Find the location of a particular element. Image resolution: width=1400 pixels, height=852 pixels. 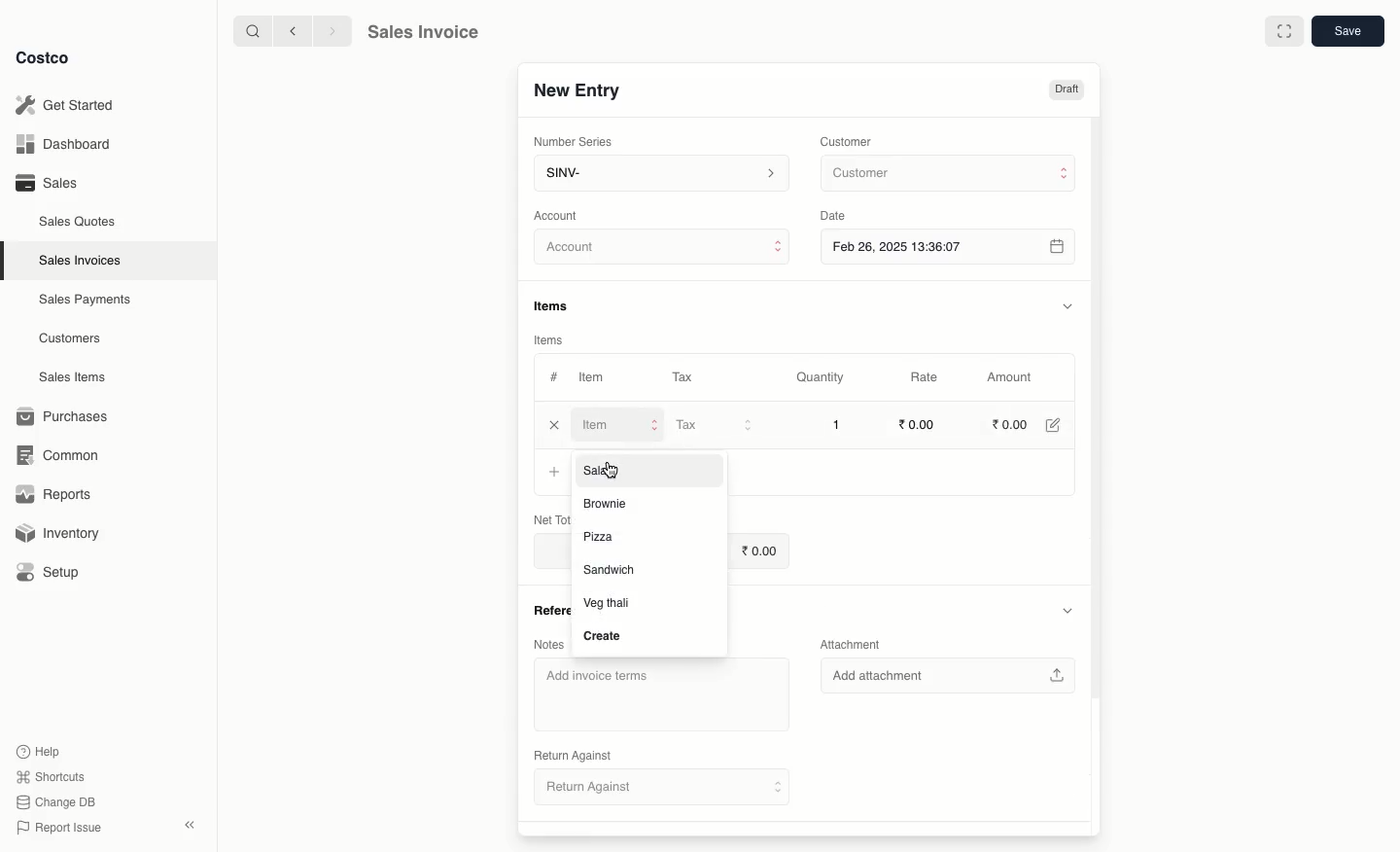

Pizza is located at coordinates (601, 538).